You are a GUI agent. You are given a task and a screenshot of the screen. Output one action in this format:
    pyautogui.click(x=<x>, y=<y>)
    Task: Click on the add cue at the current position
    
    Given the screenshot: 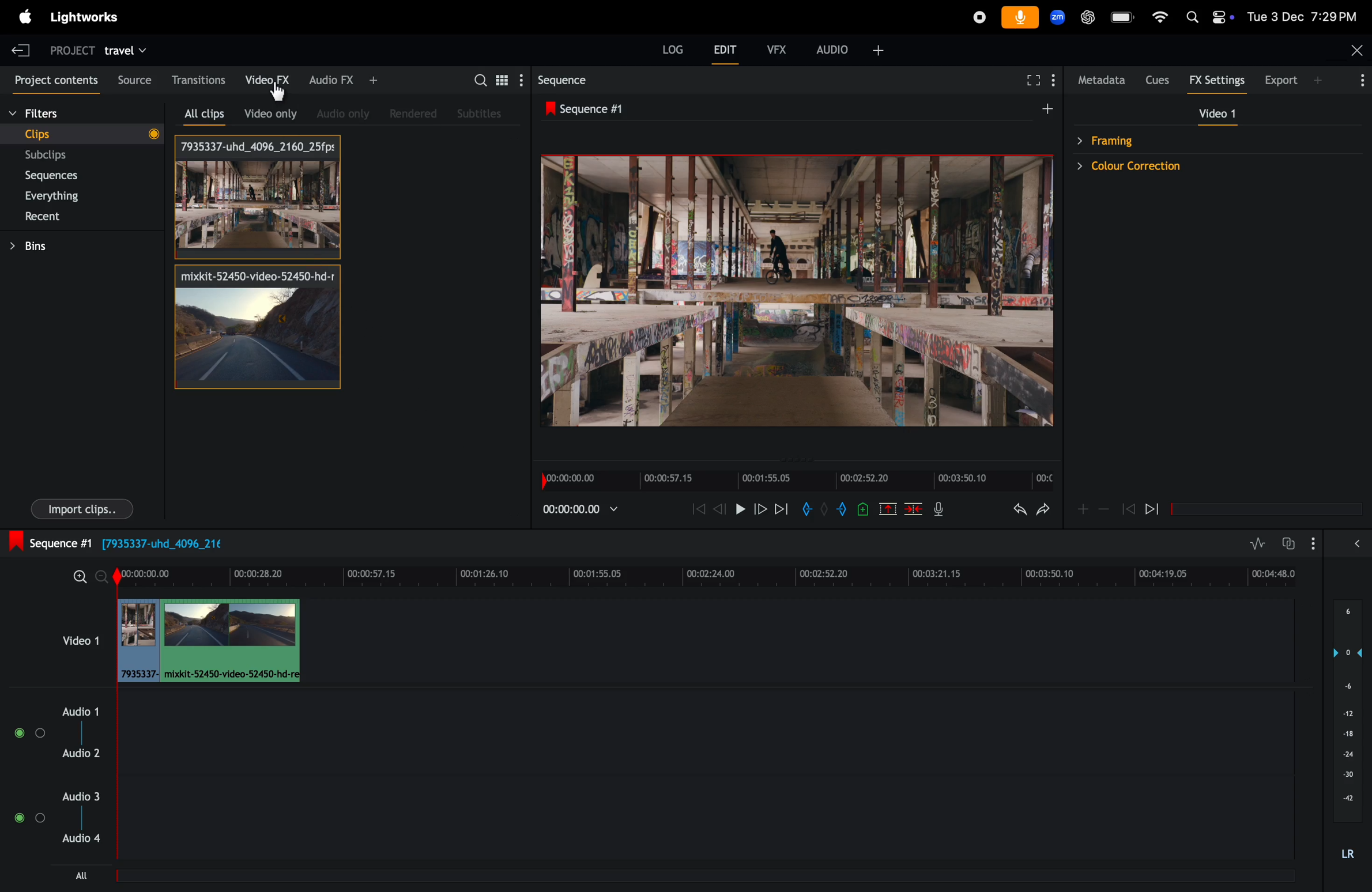 What is the action you would take?
    pyautogui.click(x=861, y=509)
    